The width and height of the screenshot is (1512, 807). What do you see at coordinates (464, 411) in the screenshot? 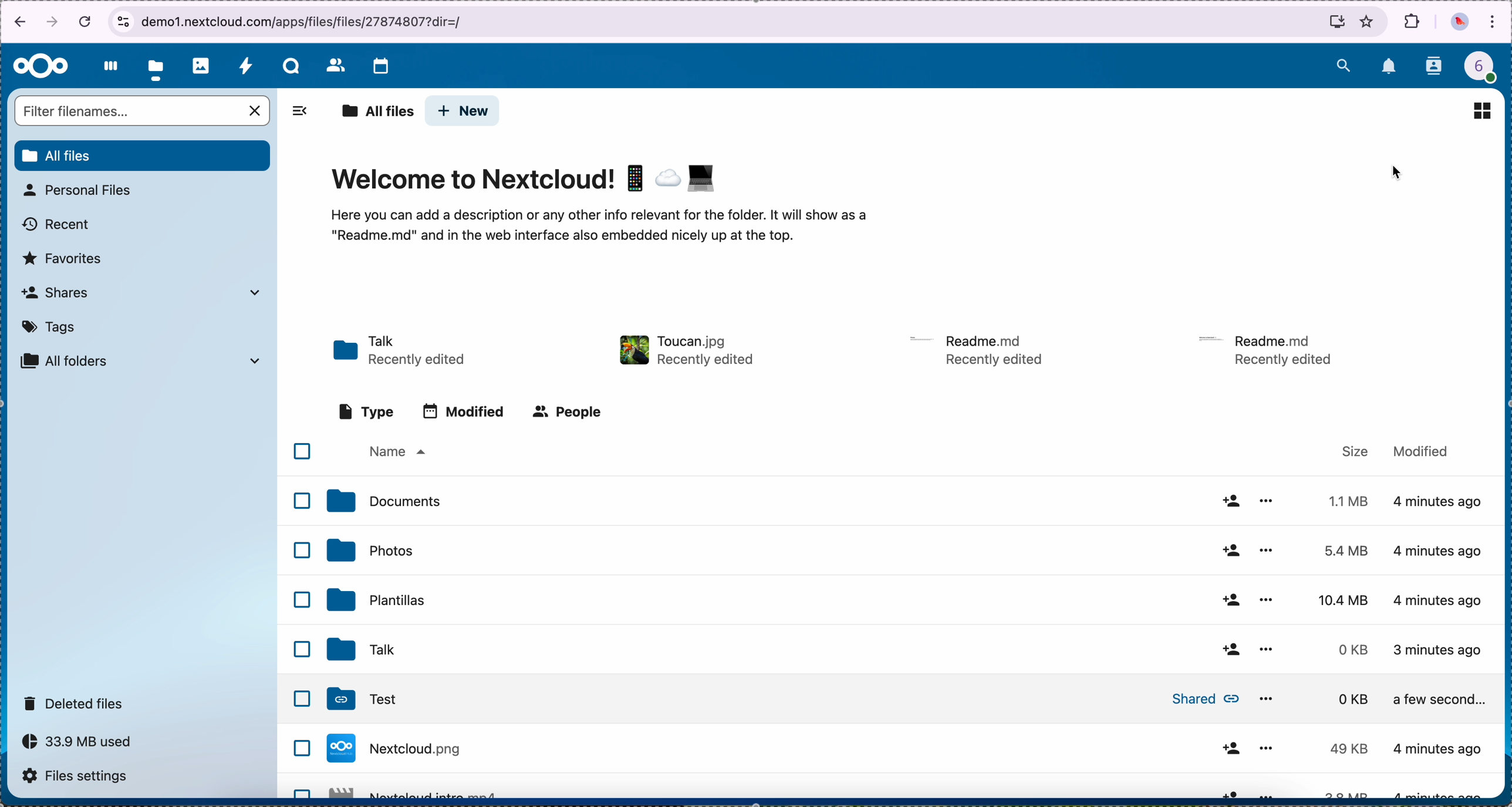
I see `modified` at bounding box center [464, 411].